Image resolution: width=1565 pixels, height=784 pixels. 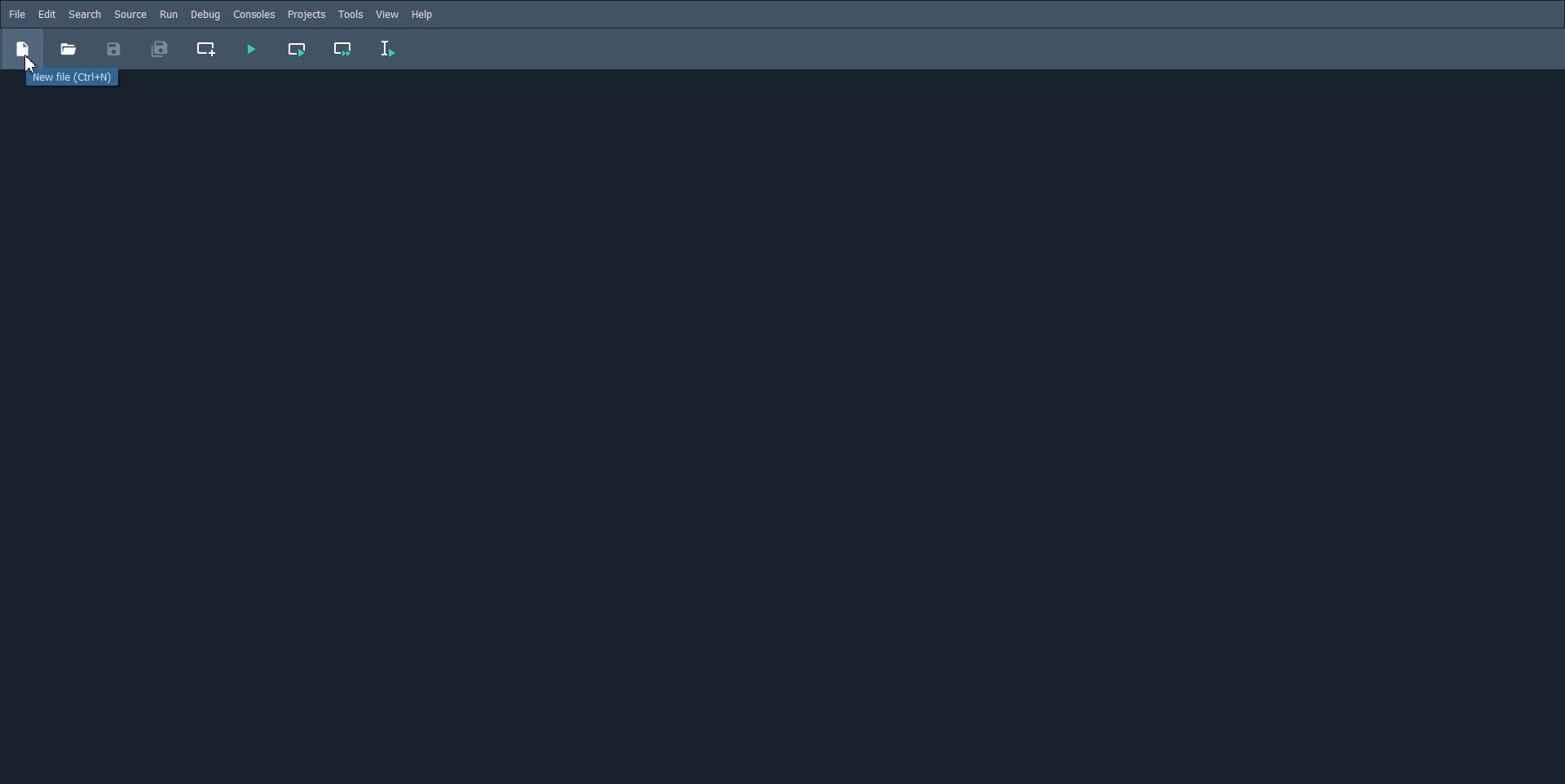 I want to click on File, so click(x=17, y=14).